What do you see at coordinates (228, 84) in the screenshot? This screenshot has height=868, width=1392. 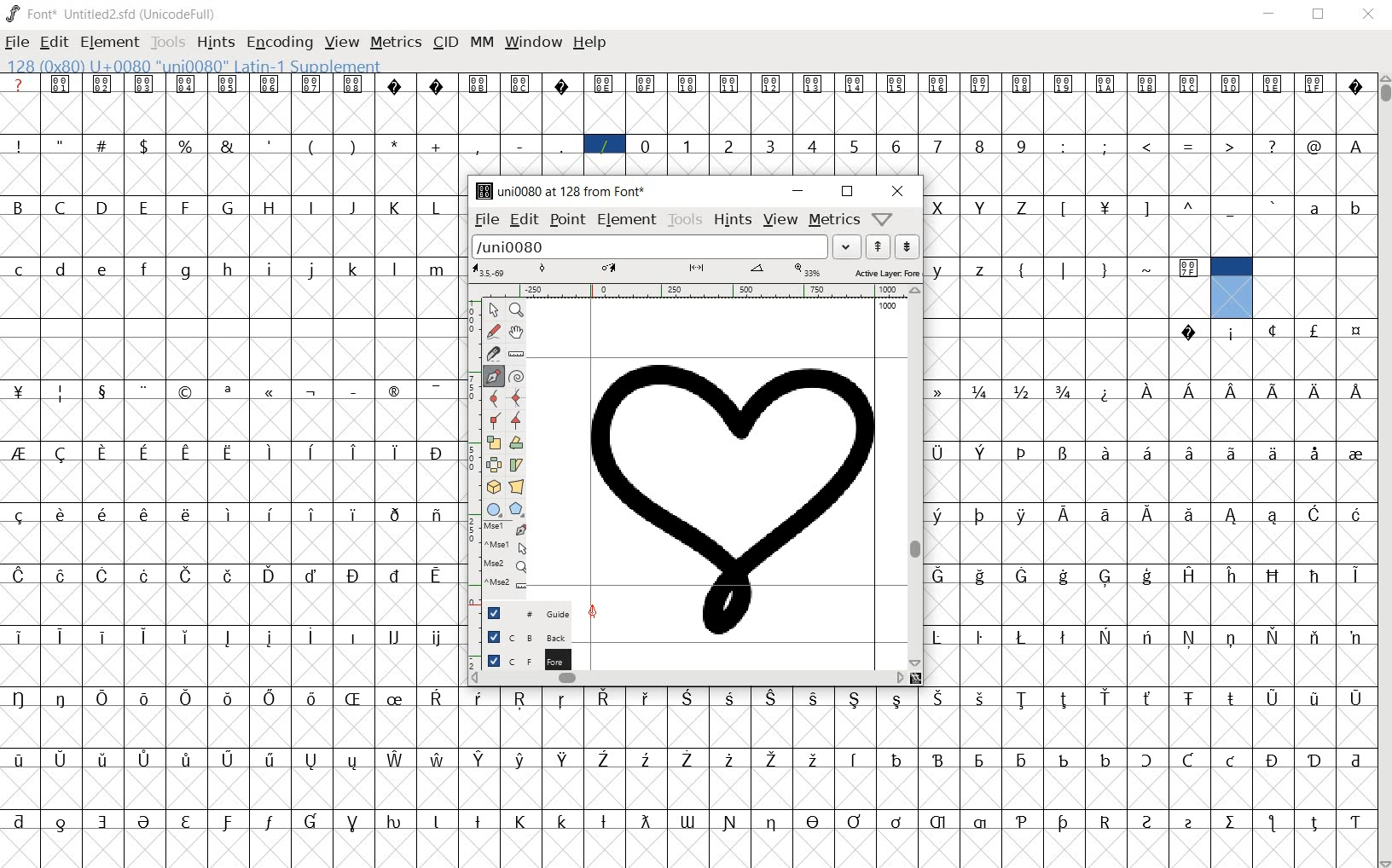 I see `glyph` at bounding box center [228, 84].